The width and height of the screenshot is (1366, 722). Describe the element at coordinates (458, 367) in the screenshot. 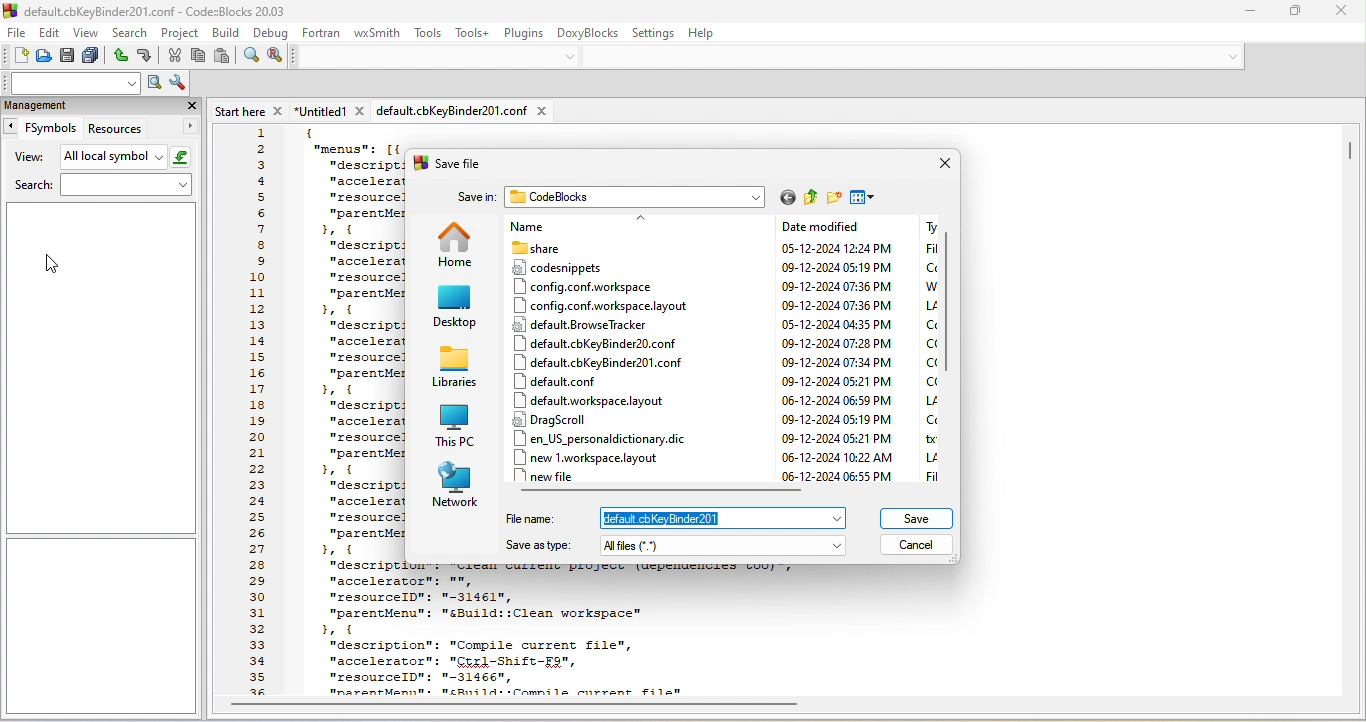

I see `libraries` at that location.